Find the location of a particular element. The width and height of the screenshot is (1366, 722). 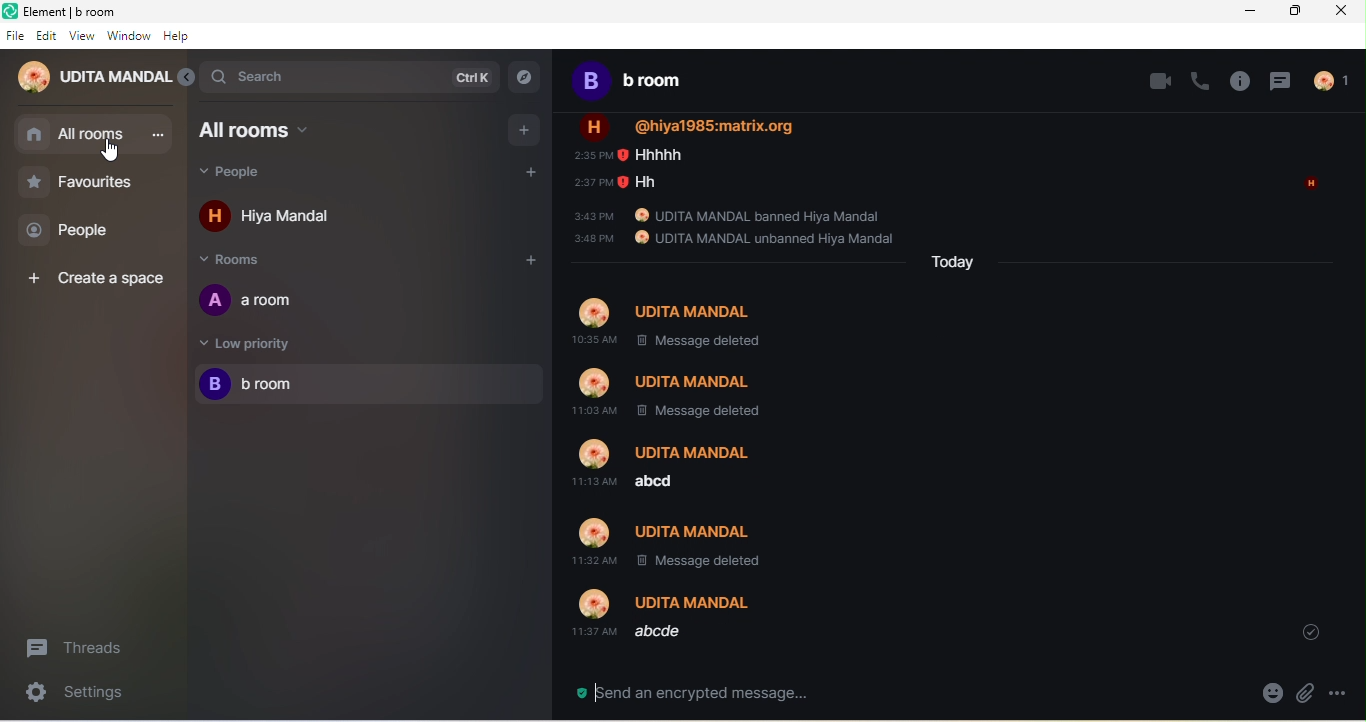

options is located at coordinates (1346, 693).